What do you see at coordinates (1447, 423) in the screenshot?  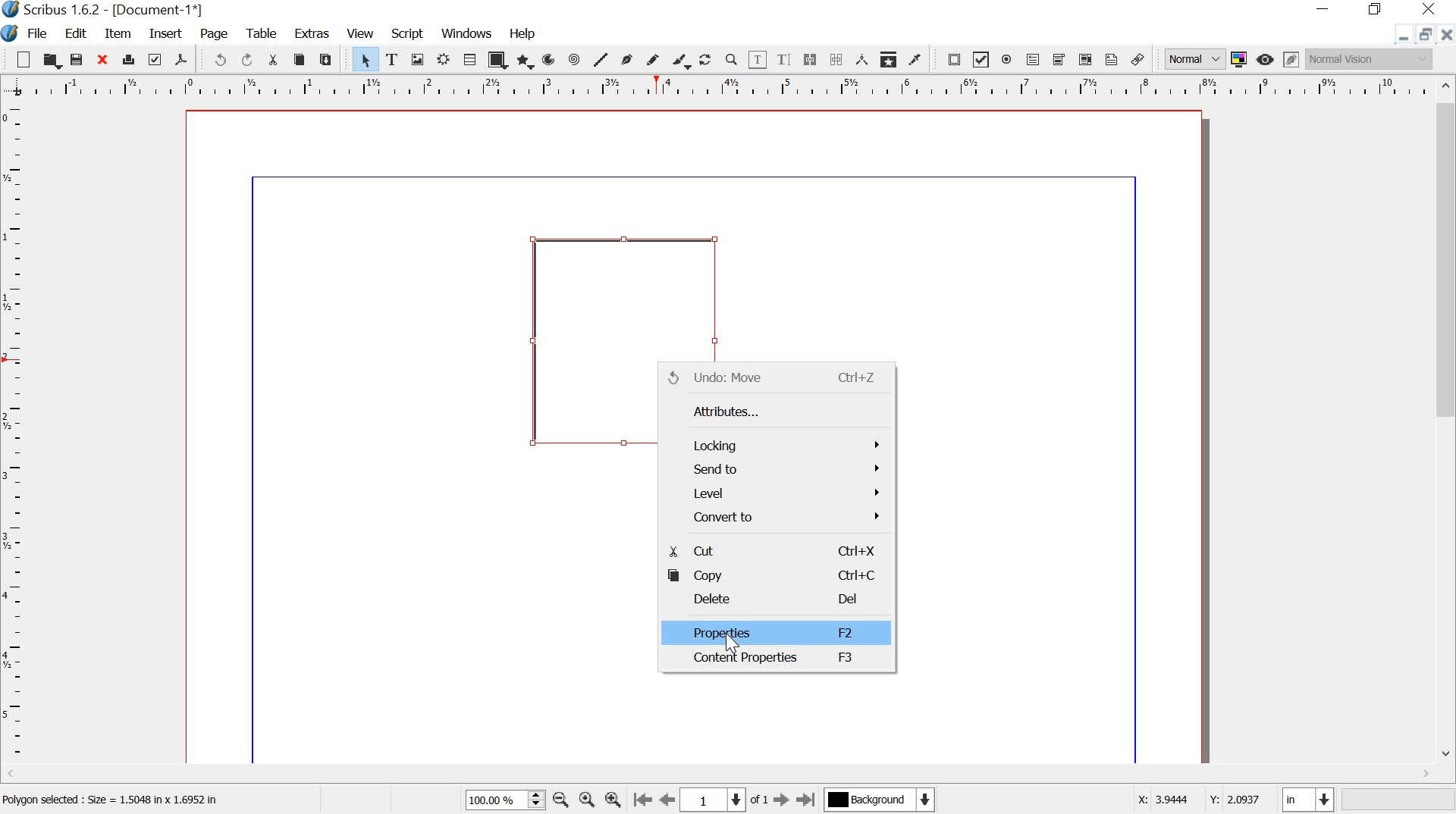 I see `scrollbar` at bounding box center [1447, 423].